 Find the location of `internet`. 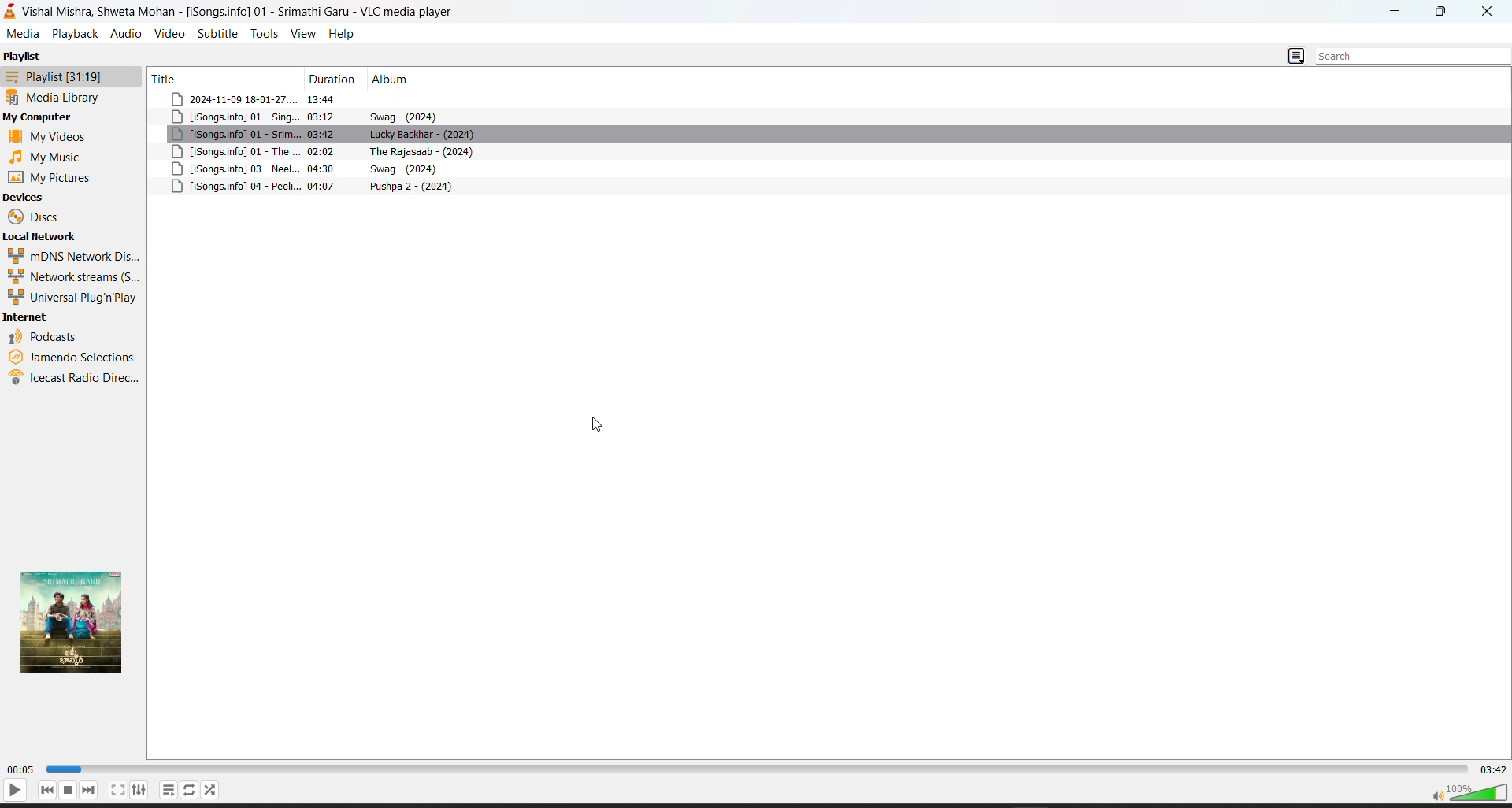

internet is located at coordinates (25, 317).